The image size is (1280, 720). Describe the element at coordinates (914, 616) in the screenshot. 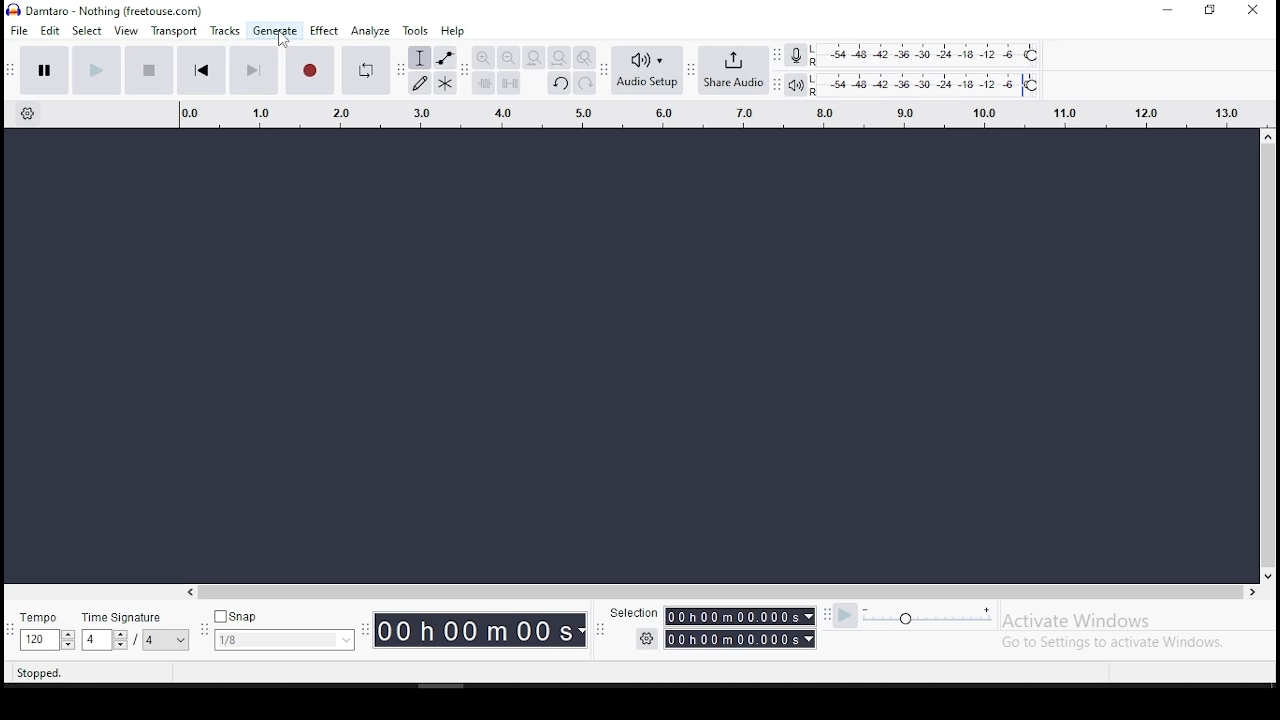

I see `playback speed` at that location.